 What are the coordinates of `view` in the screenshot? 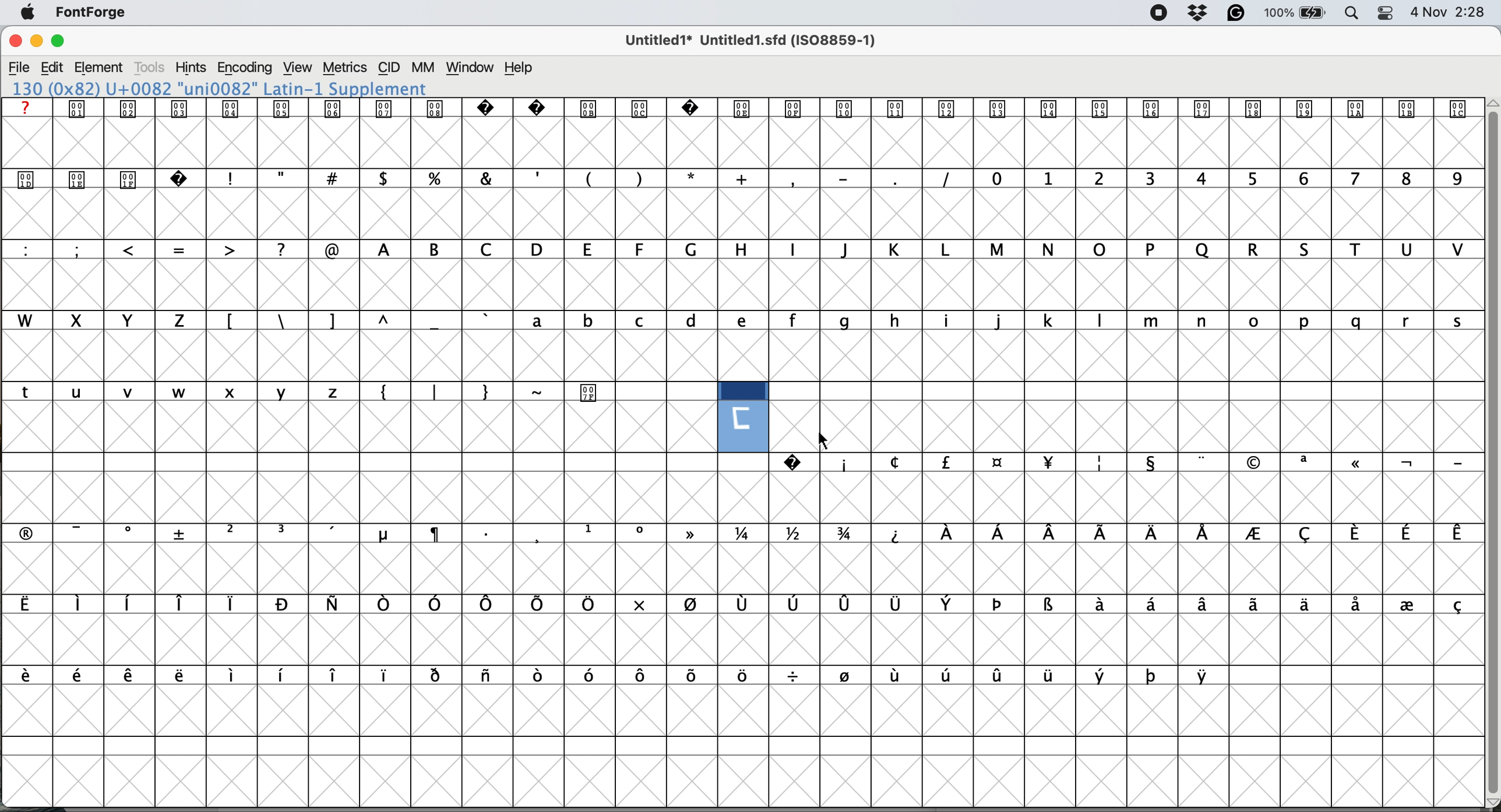 It's located at (300, 68).